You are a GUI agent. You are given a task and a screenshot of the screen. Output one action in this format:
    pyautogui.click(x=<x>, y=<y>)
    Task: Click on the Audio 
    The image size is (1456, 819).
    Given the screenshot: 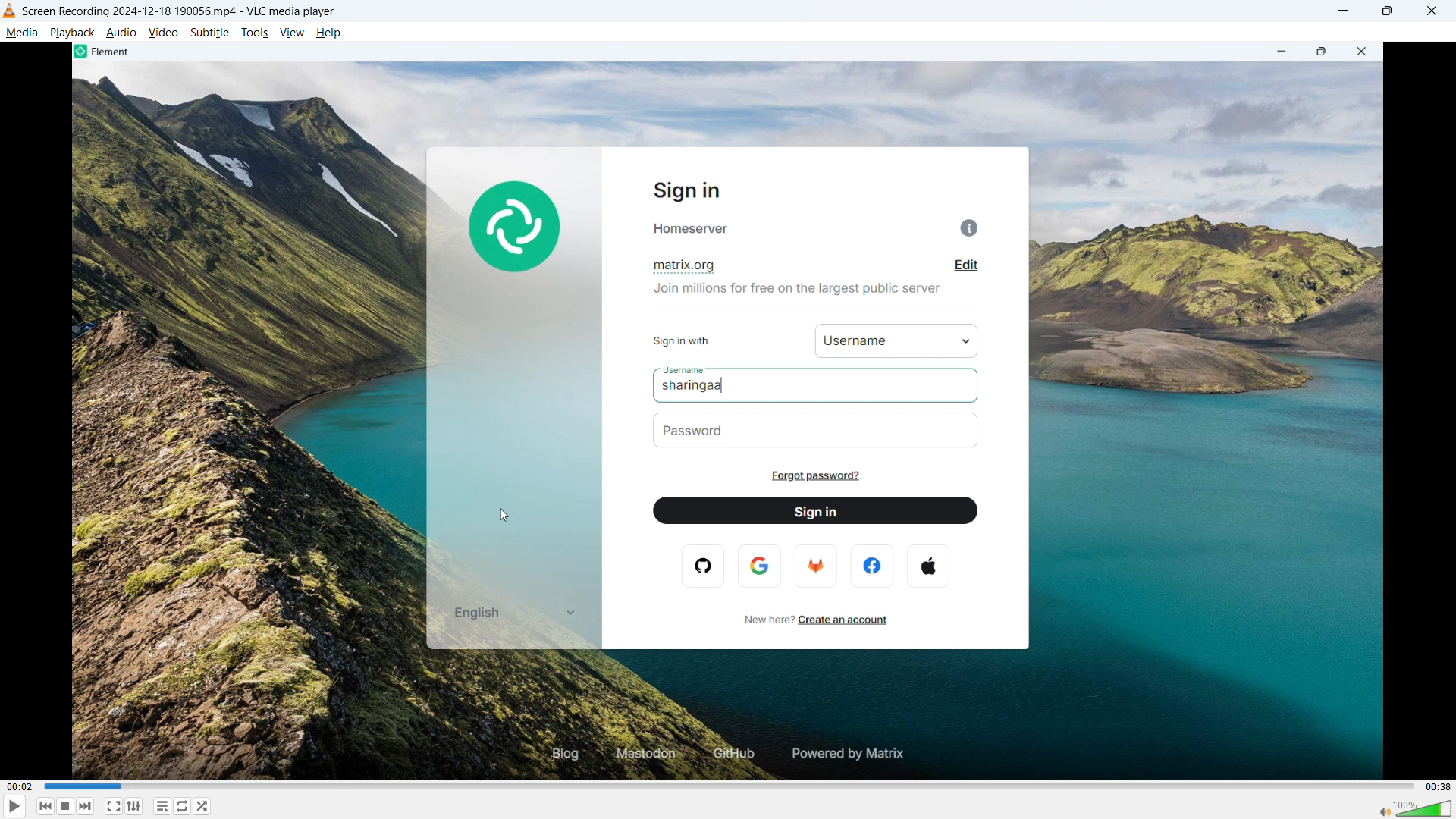 What is the action you would take?
    pyautogui.click(x=122, y=32)
    